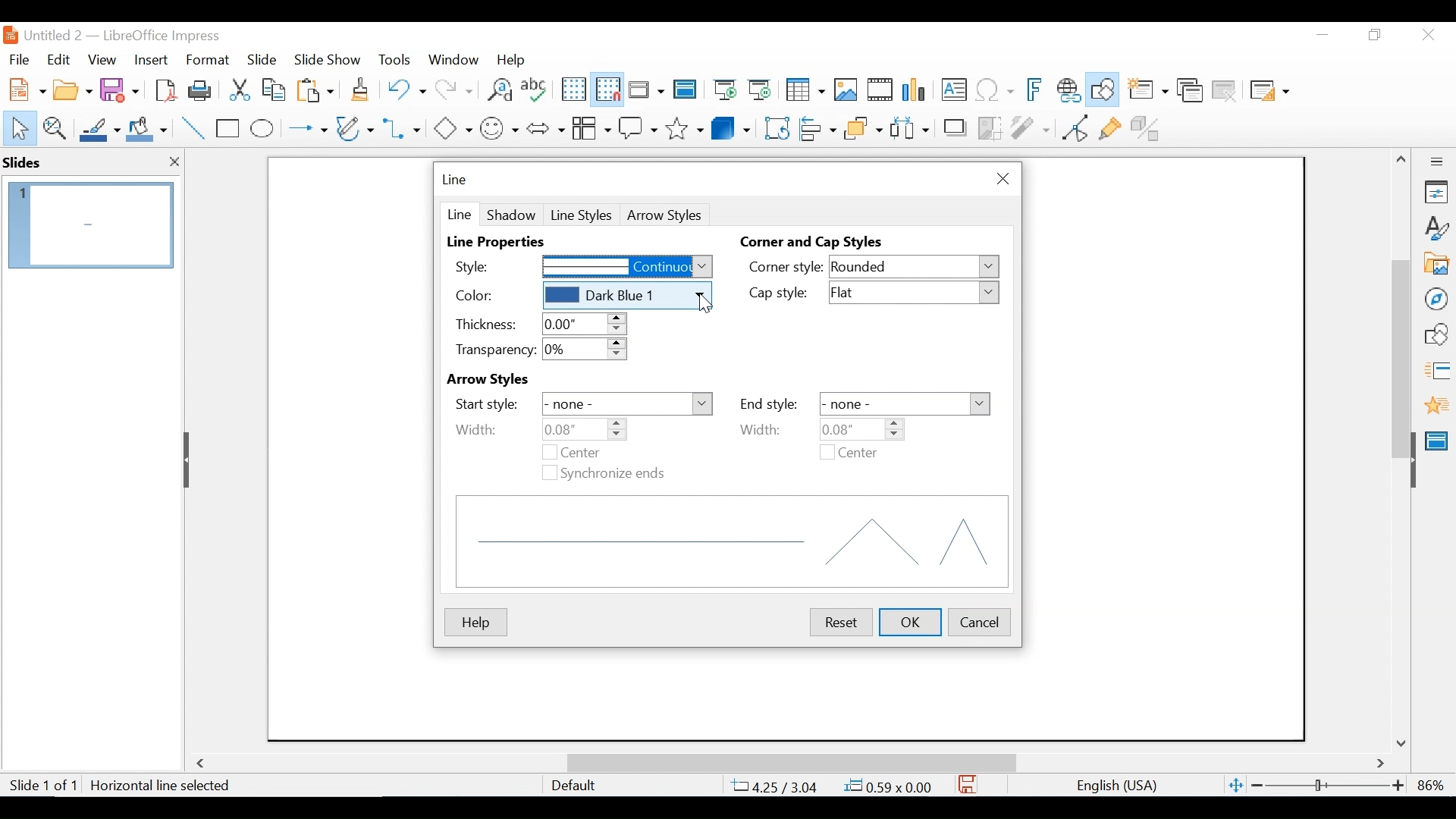 This screenshot has width=1456, height=819. Describe the element at coordinates (880, 91) in the screenshot. I see `Insert Audio or Video` at that location.